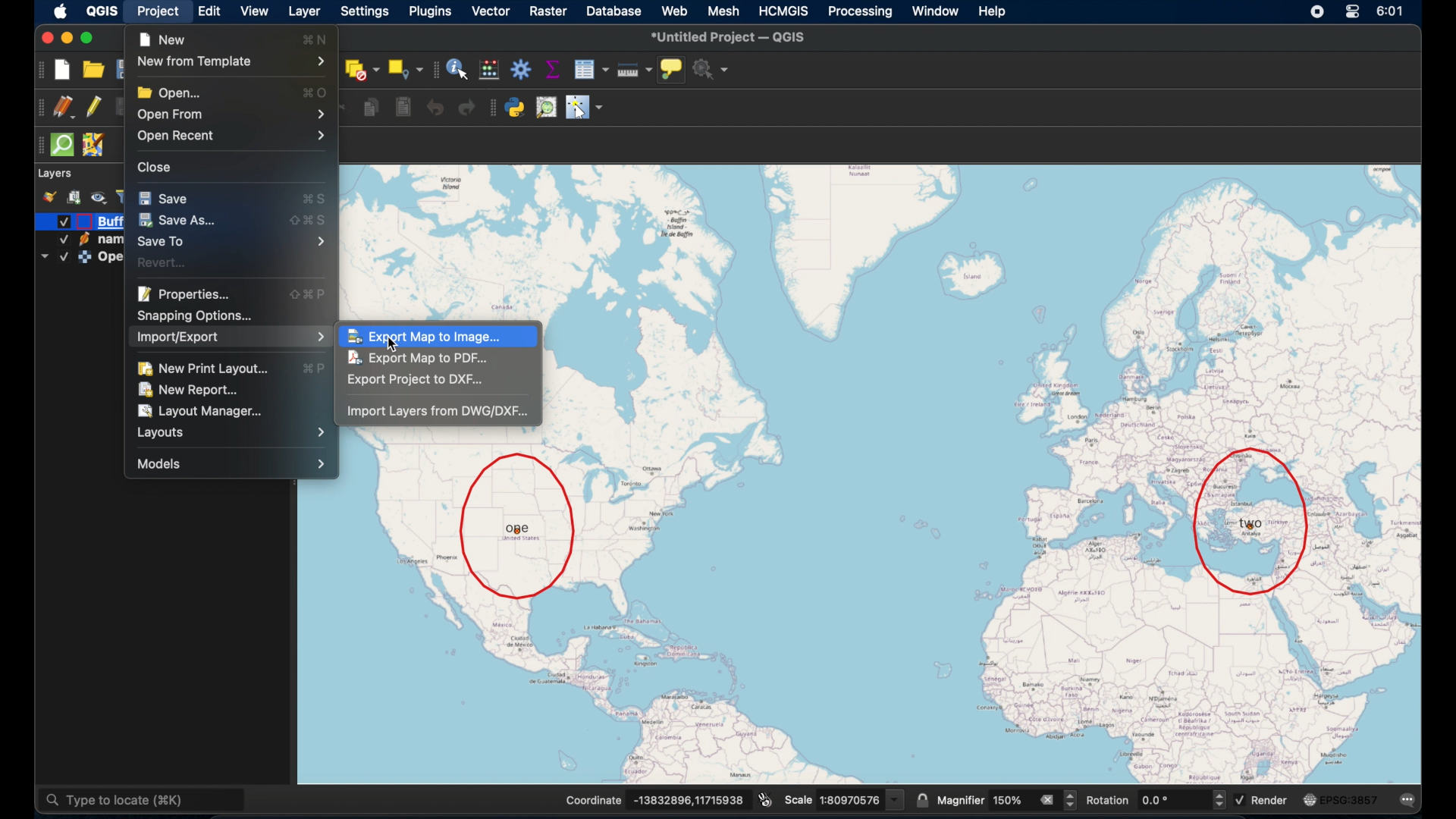 The width and height of the screenshot is (1456, 819). What do you see at coordinates (311, 294) in the screenshot?
I see `shift command P` at bounding box center [311, 294].